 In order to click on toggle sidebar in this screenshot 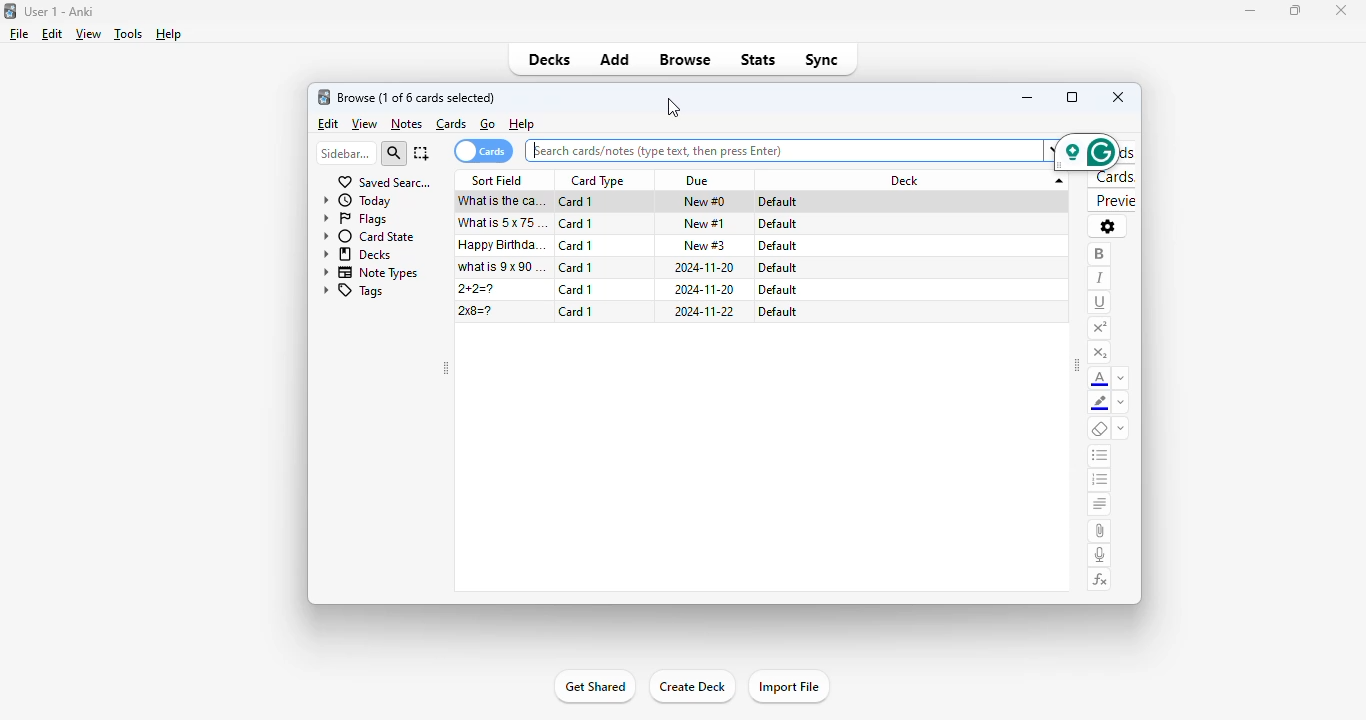, I will do `click(1077, 365)`.